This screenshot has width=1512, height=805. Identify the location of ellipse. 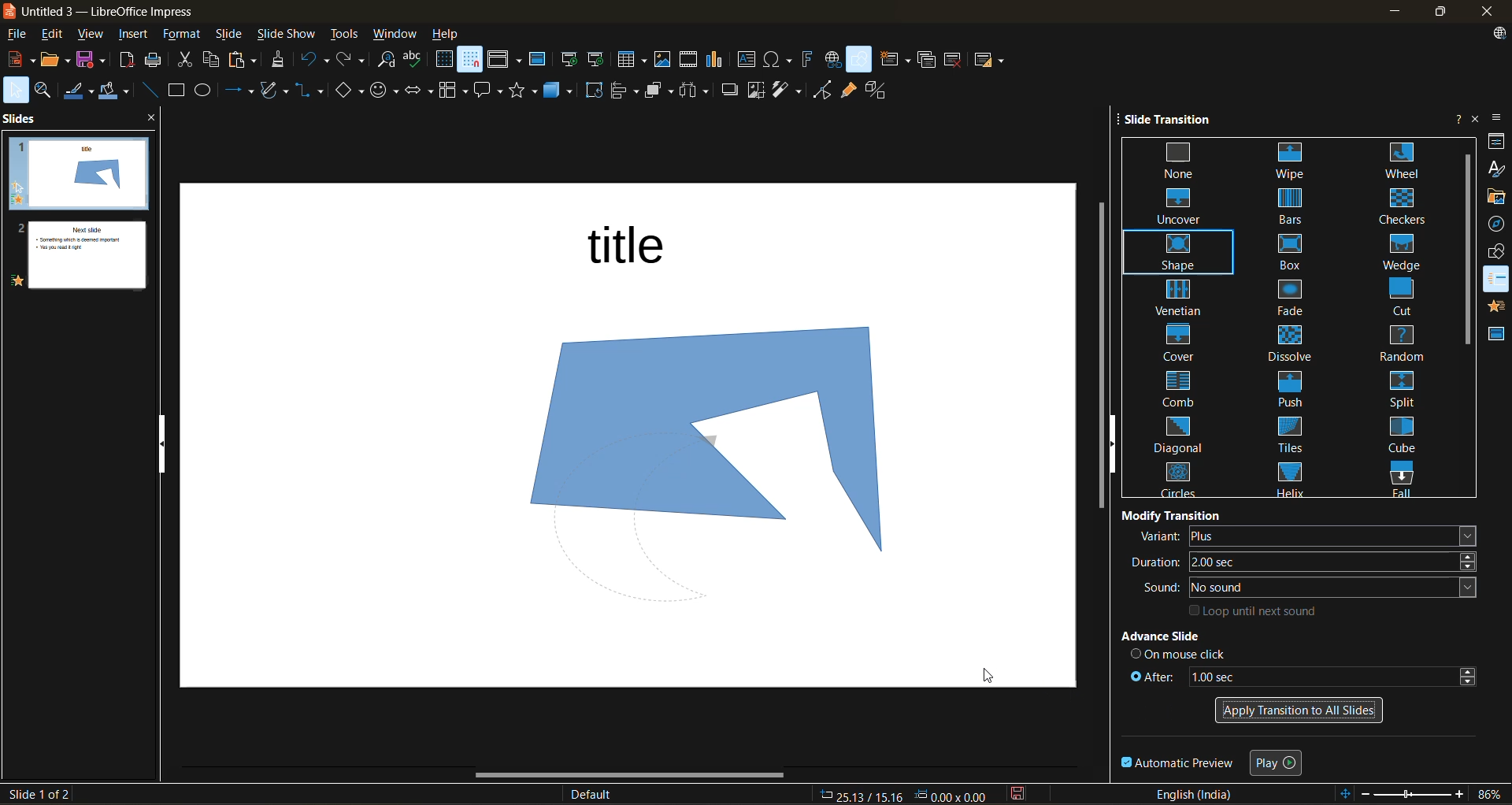
(208, 91).